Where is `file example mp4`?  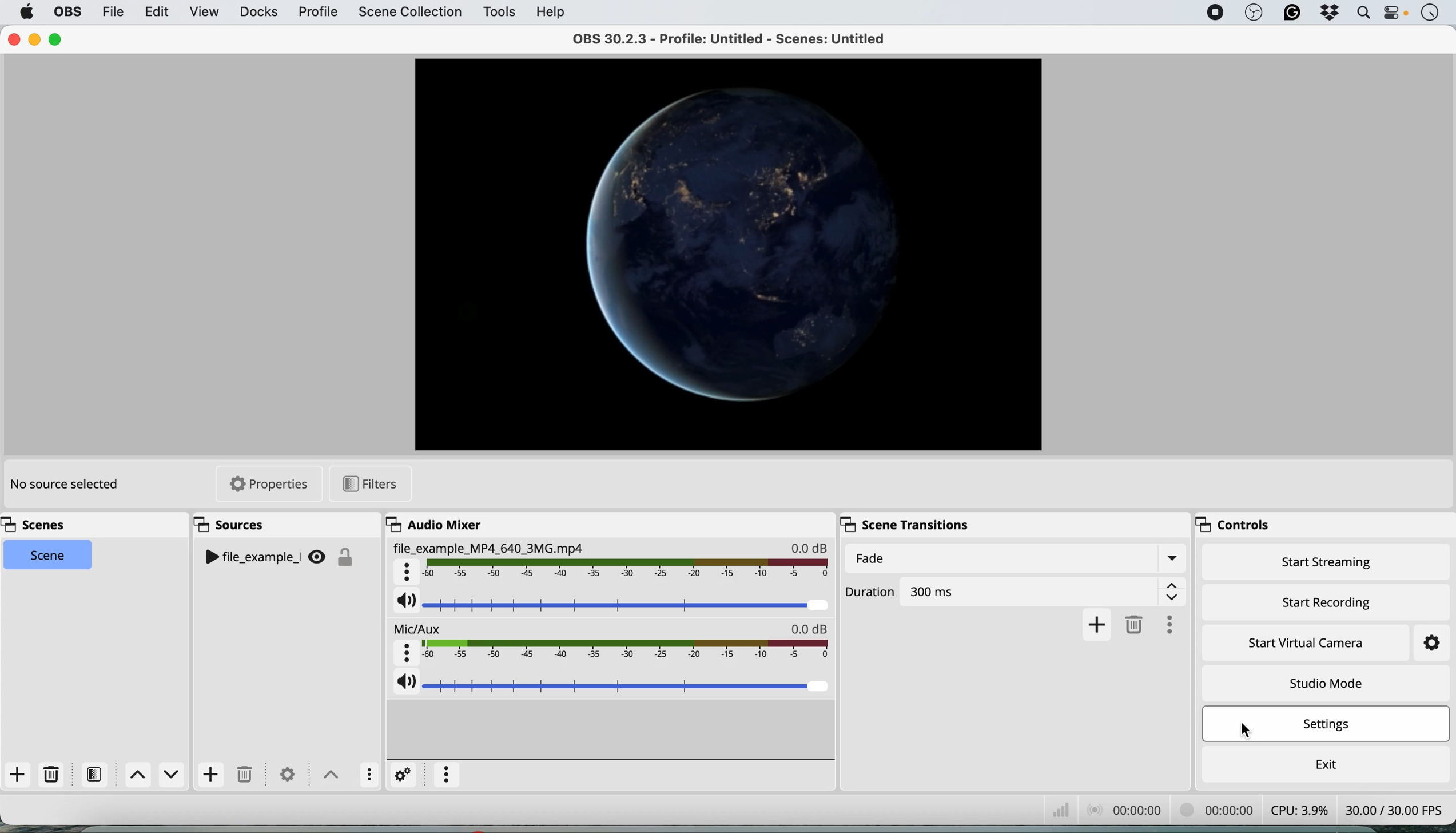
file example mp4 is located at coordinates (610, 562).